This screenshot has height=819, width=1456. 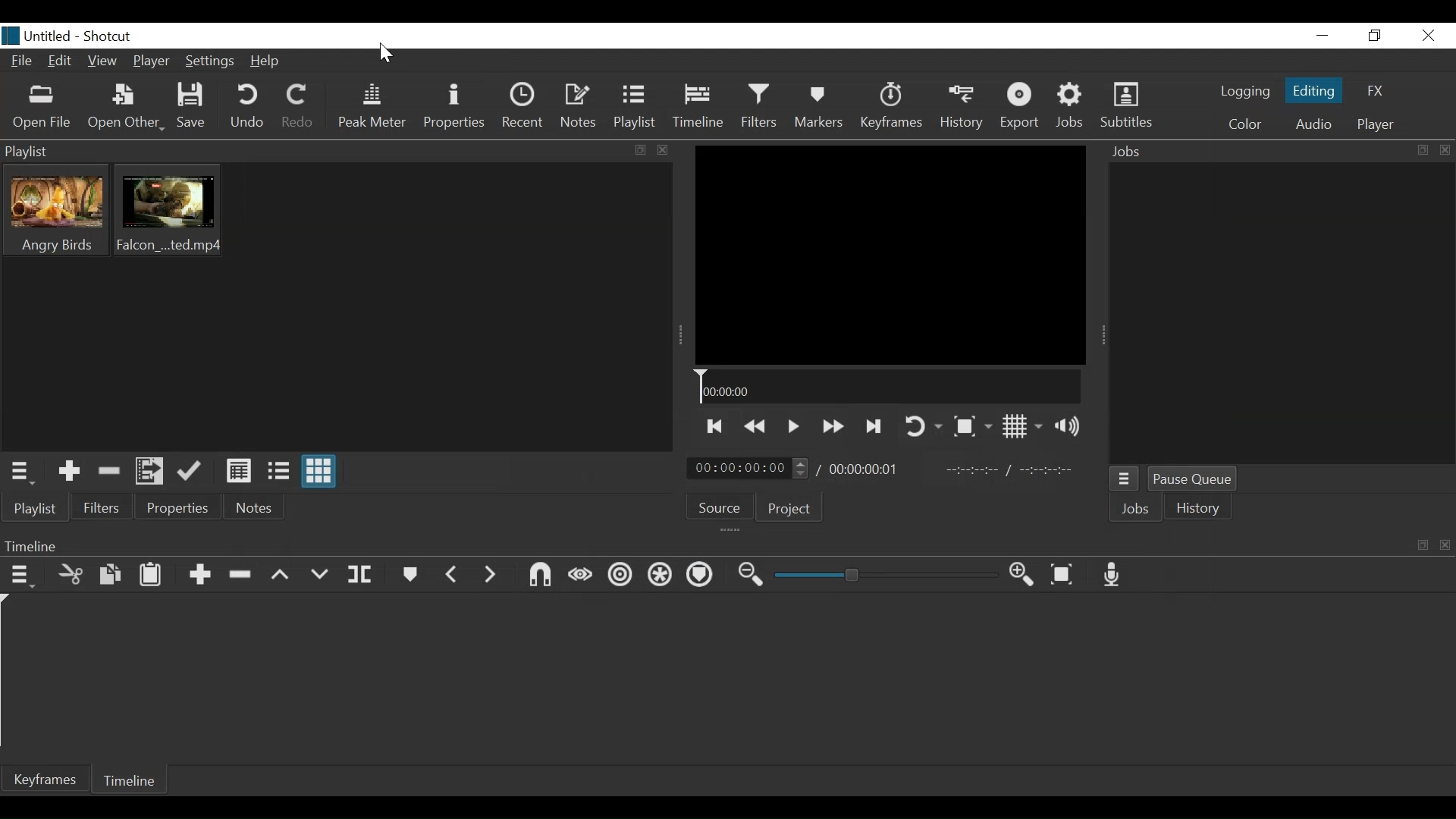 What do you see at coordinates (170, 209) in the screenshot?
I see `Clip` at bounding box center [170, 209].